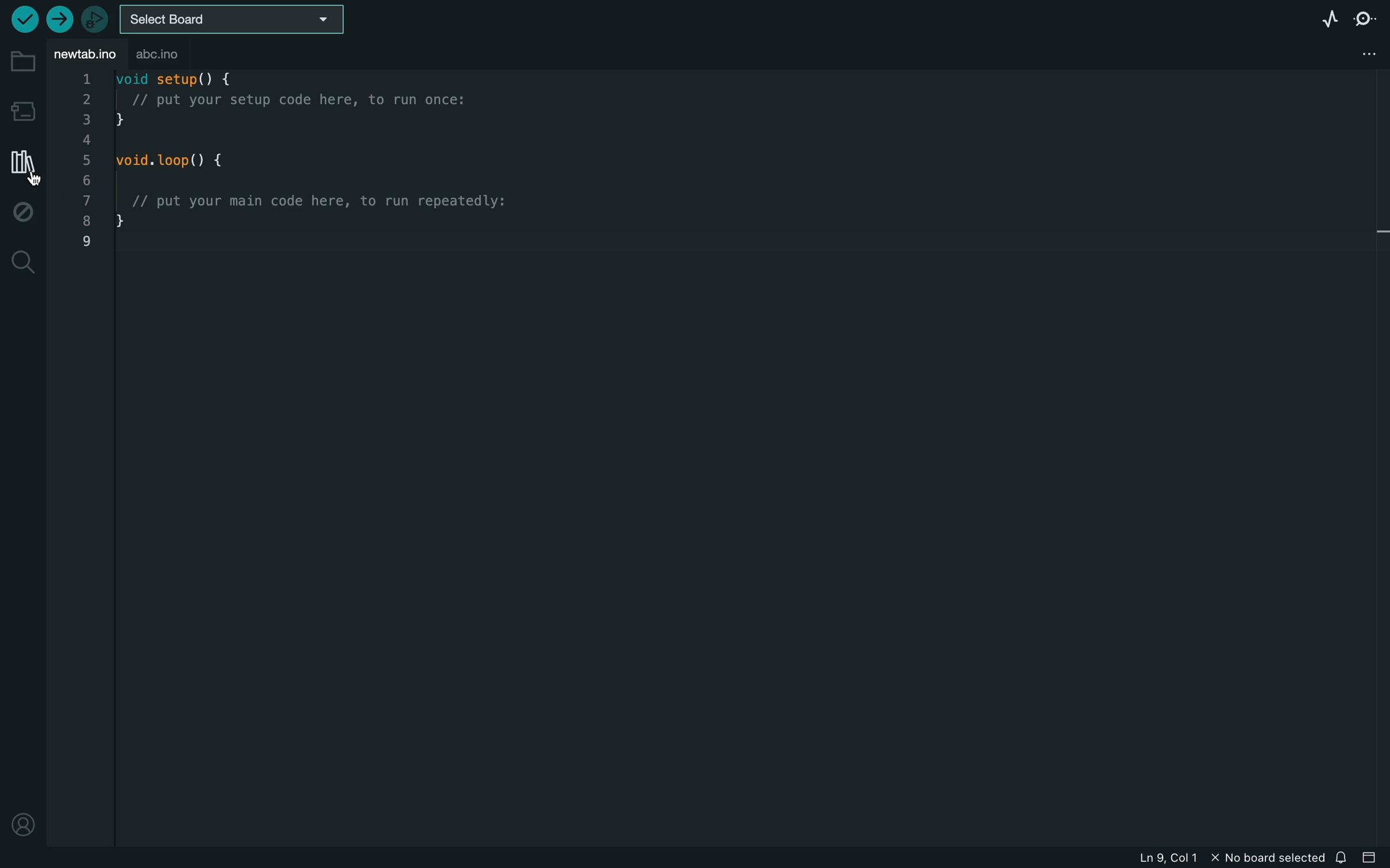  I want to click on close slide bar, so click(1369, 859).